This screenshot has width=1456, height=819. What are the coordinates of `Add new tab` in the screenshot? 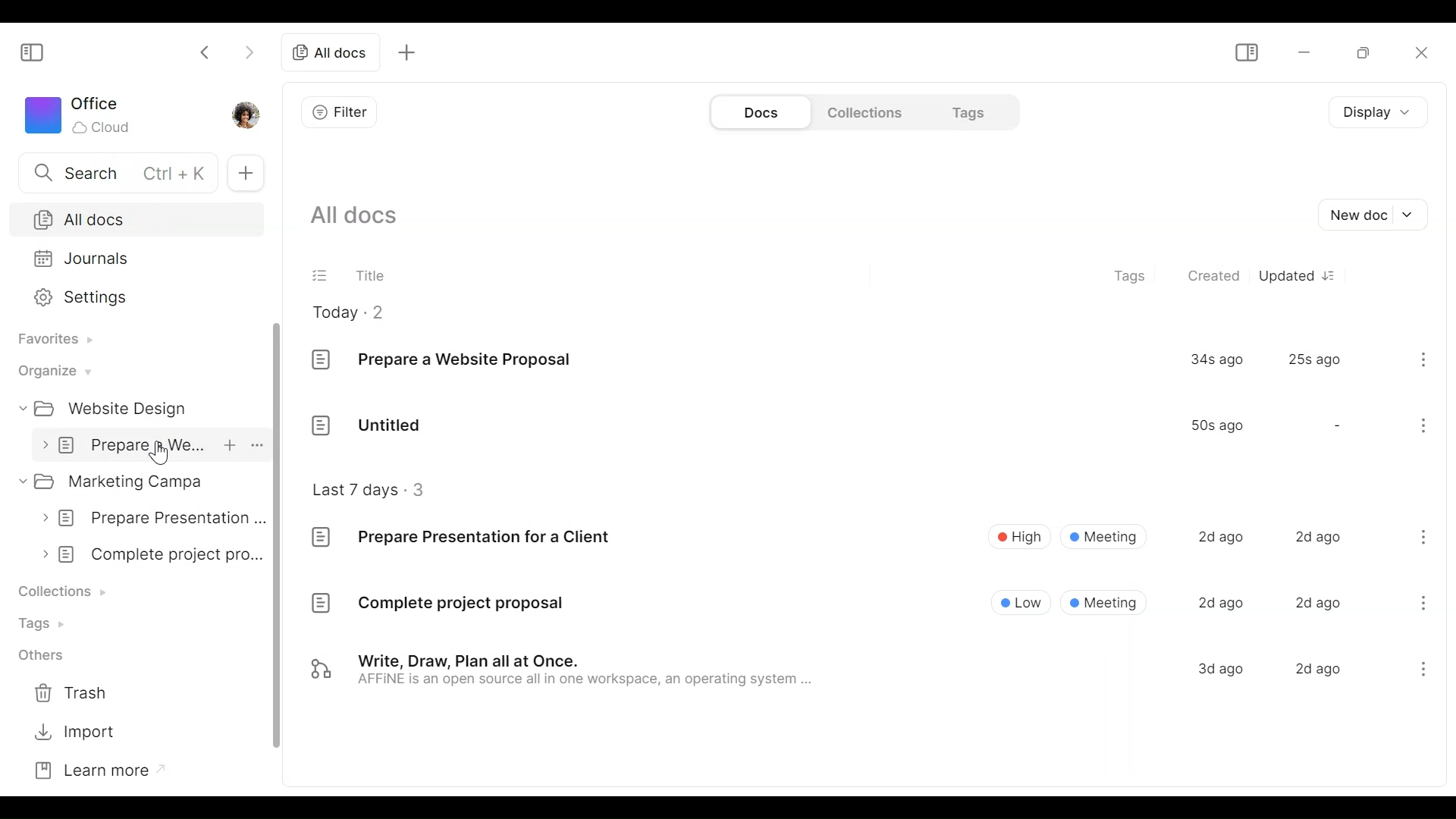 It's located at (407, 51).